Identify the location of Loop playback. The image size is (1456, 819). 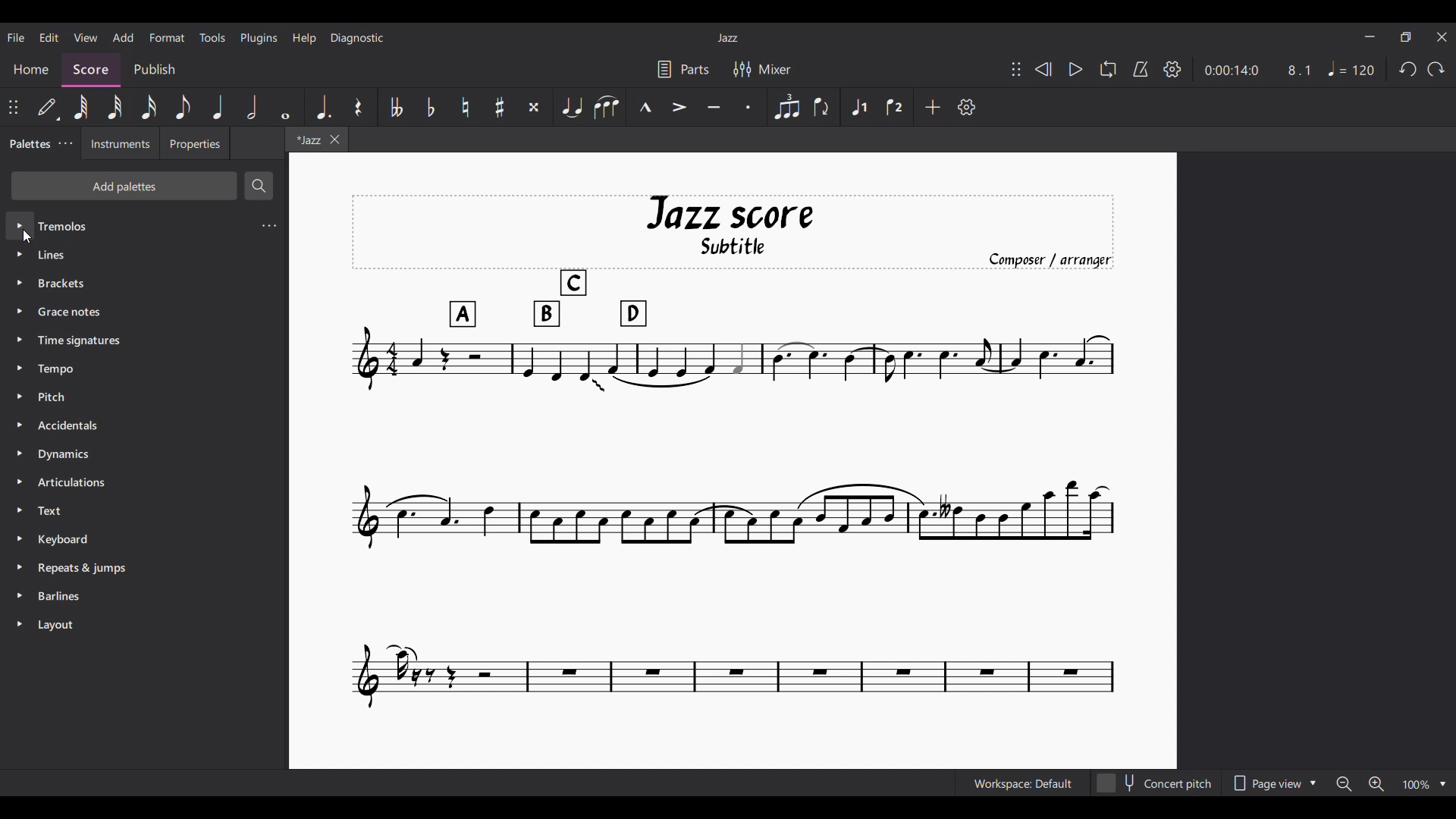
(1108, 69).